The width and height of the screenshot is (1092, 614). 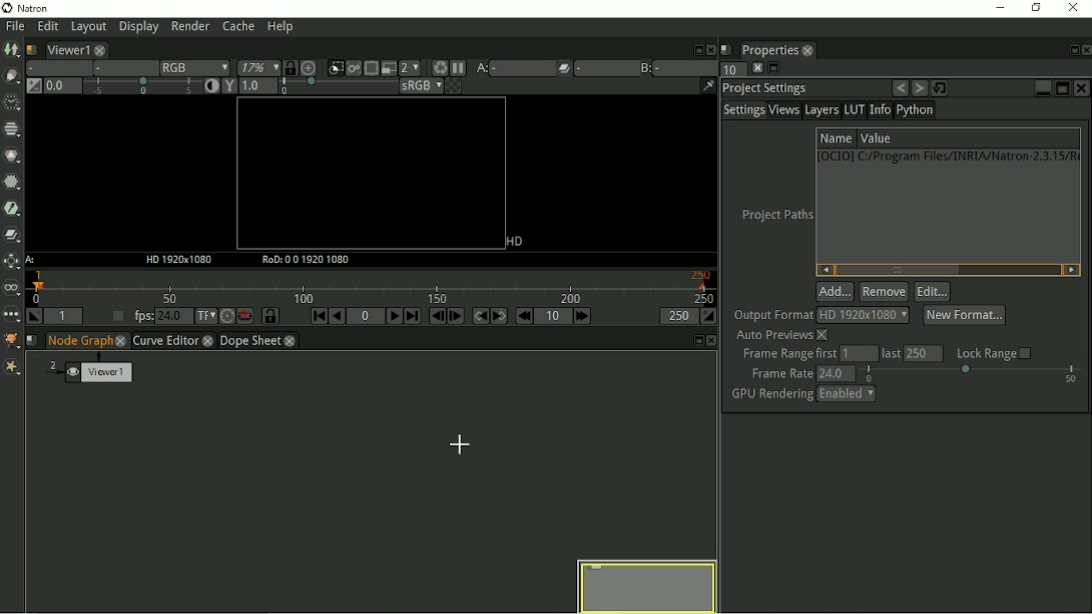 What do you see at coordinates (1083, 88) in the screenshot?
I see `Close` at bounding box center [1083, 88].